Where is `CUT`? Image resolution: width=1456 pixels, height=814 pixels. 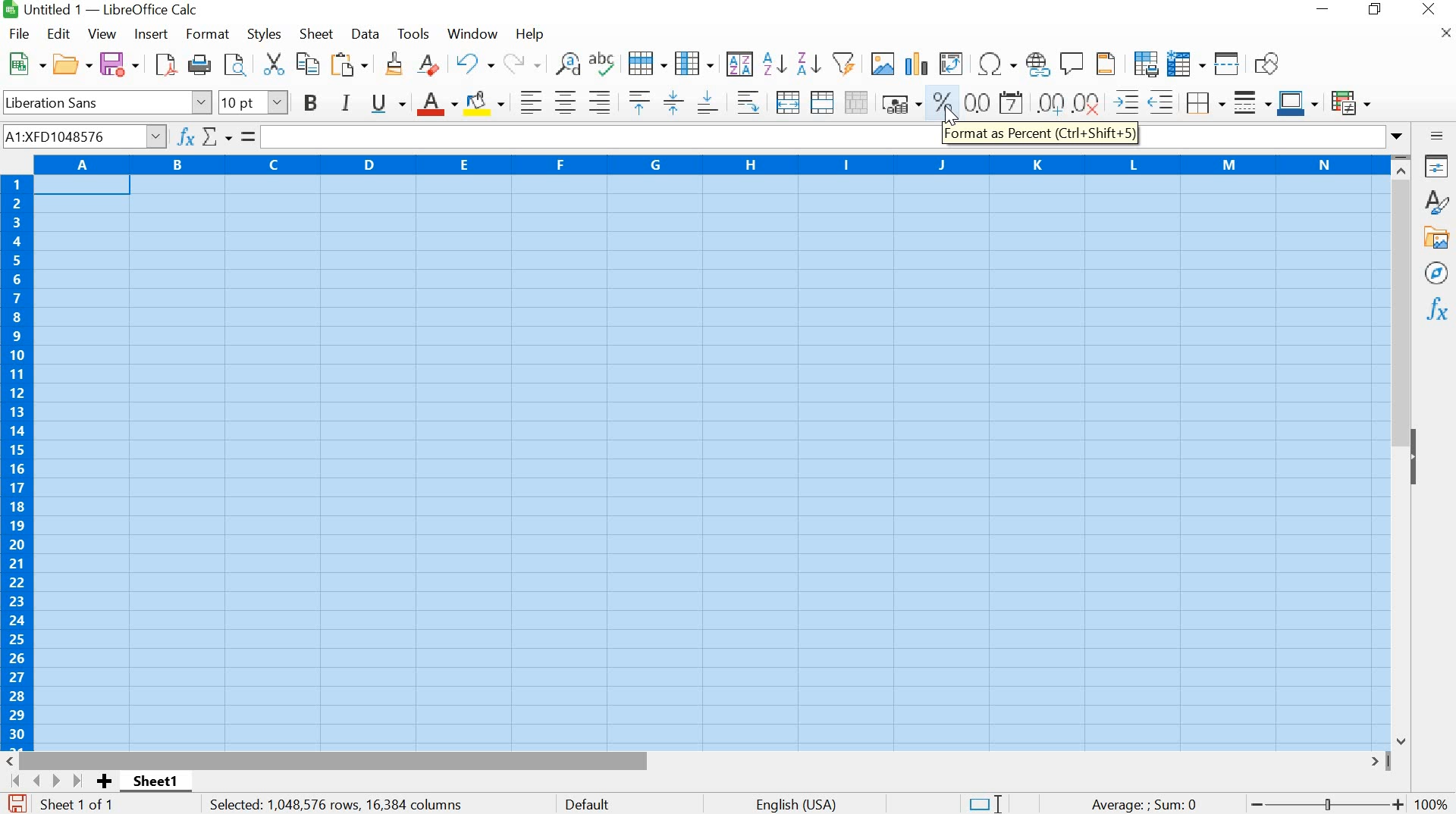
CUT is located at coordinates (276, 64).